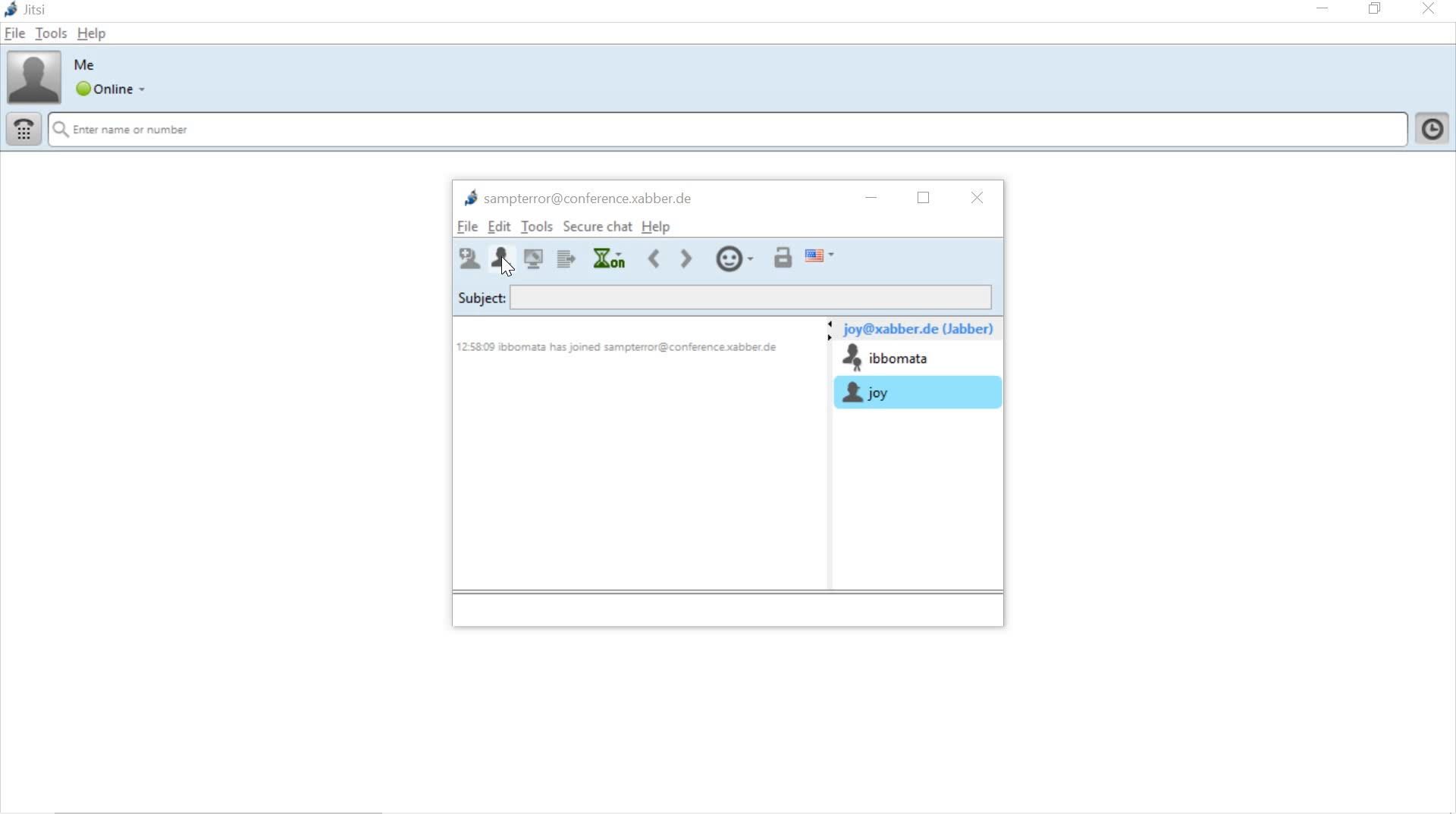 The width and height of the screenshot is (1456, 814). What do you see at coordinates (14, 33) in the screenshot?
I see `file` at bounding box center [14, 33].